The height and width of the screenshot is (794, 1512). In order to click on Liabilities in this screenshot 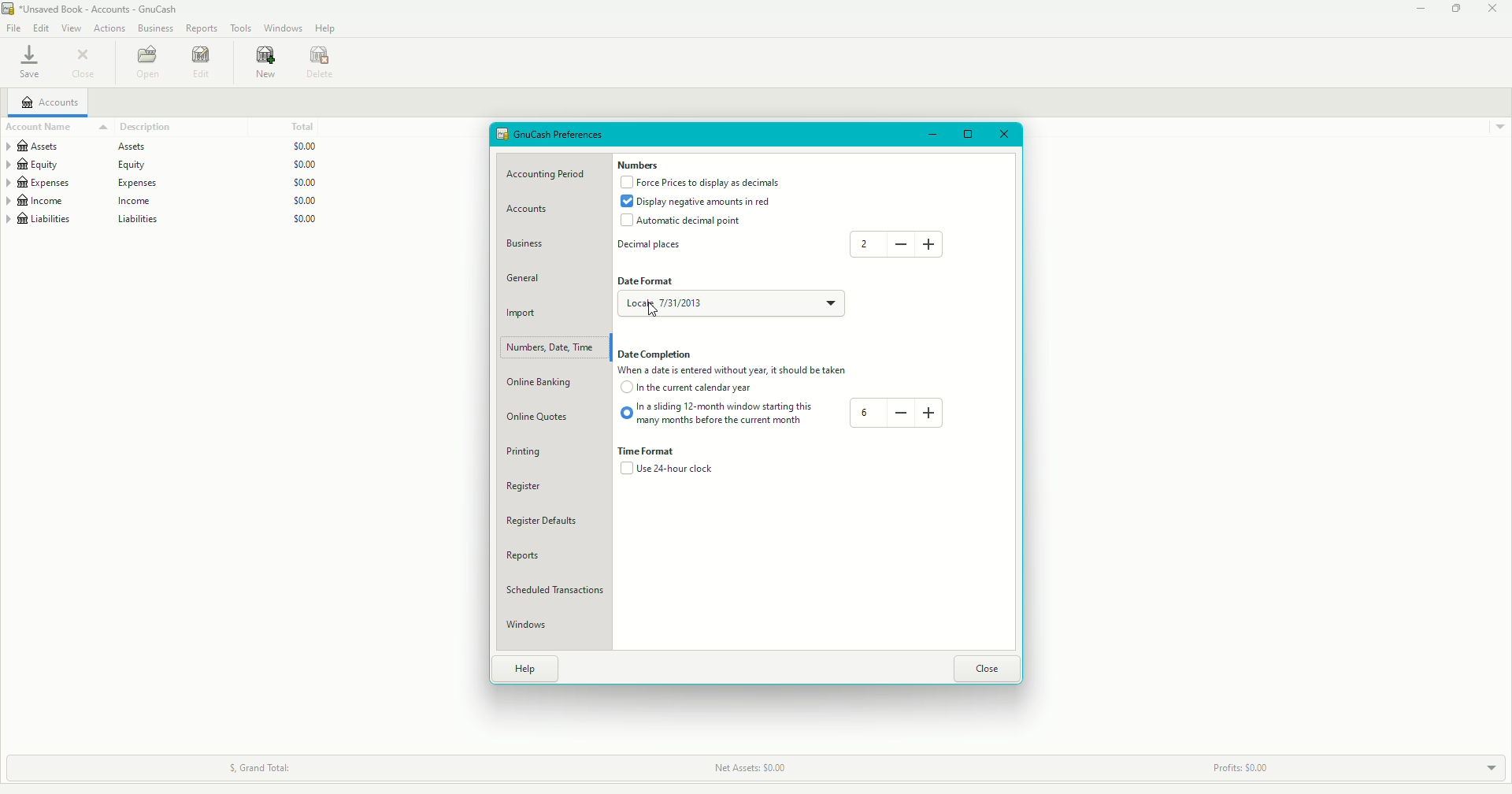, I will do `click(163, 221)`.